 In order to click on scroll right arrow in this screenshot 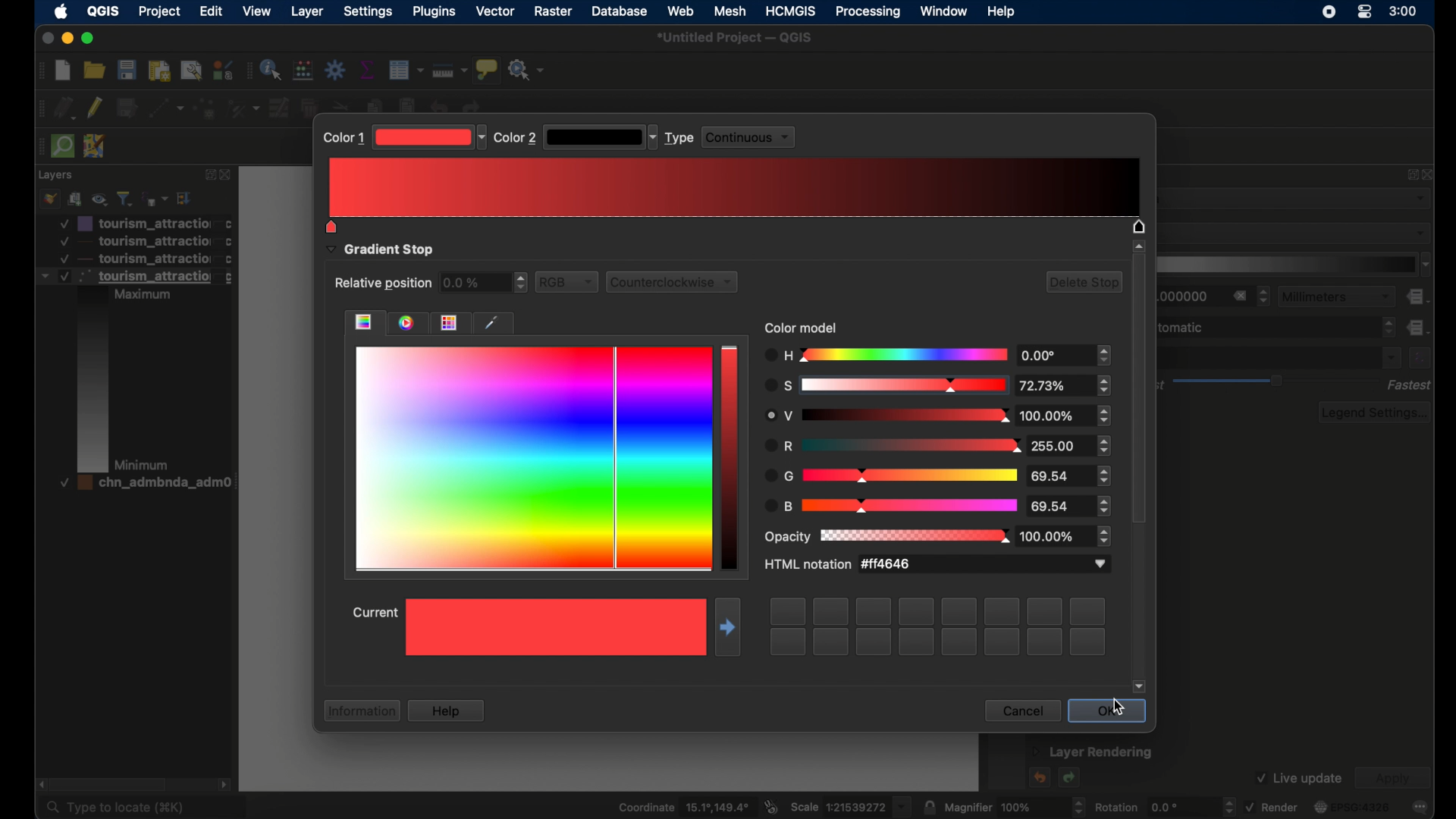, I will do `click(38, 783)`.